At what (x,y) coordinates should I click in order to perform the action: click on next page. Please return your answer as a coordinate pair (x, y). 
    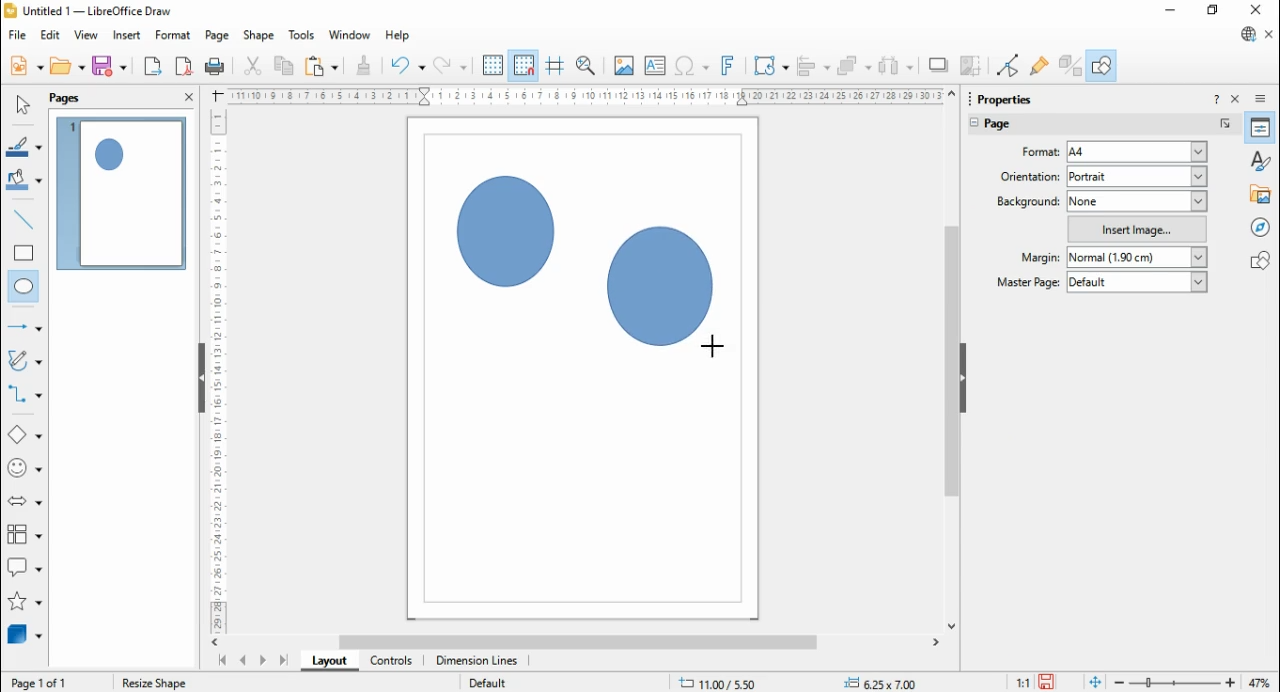
    Looking at the image, I should click on (263, 662).